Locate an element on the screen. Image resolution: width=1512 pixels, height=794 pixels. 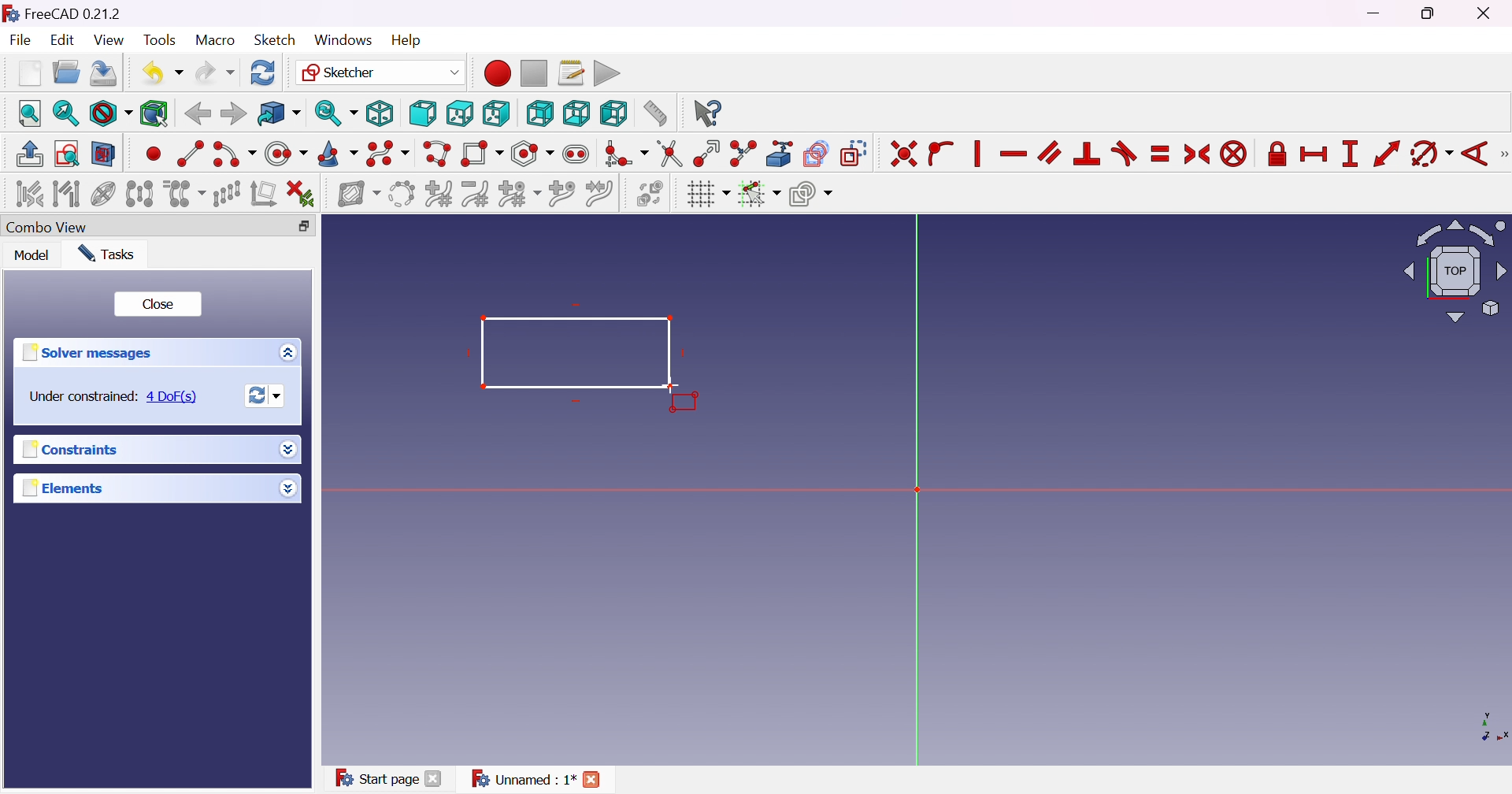
FreeCAD 0.21.2 is located at coordinates (61, 11).